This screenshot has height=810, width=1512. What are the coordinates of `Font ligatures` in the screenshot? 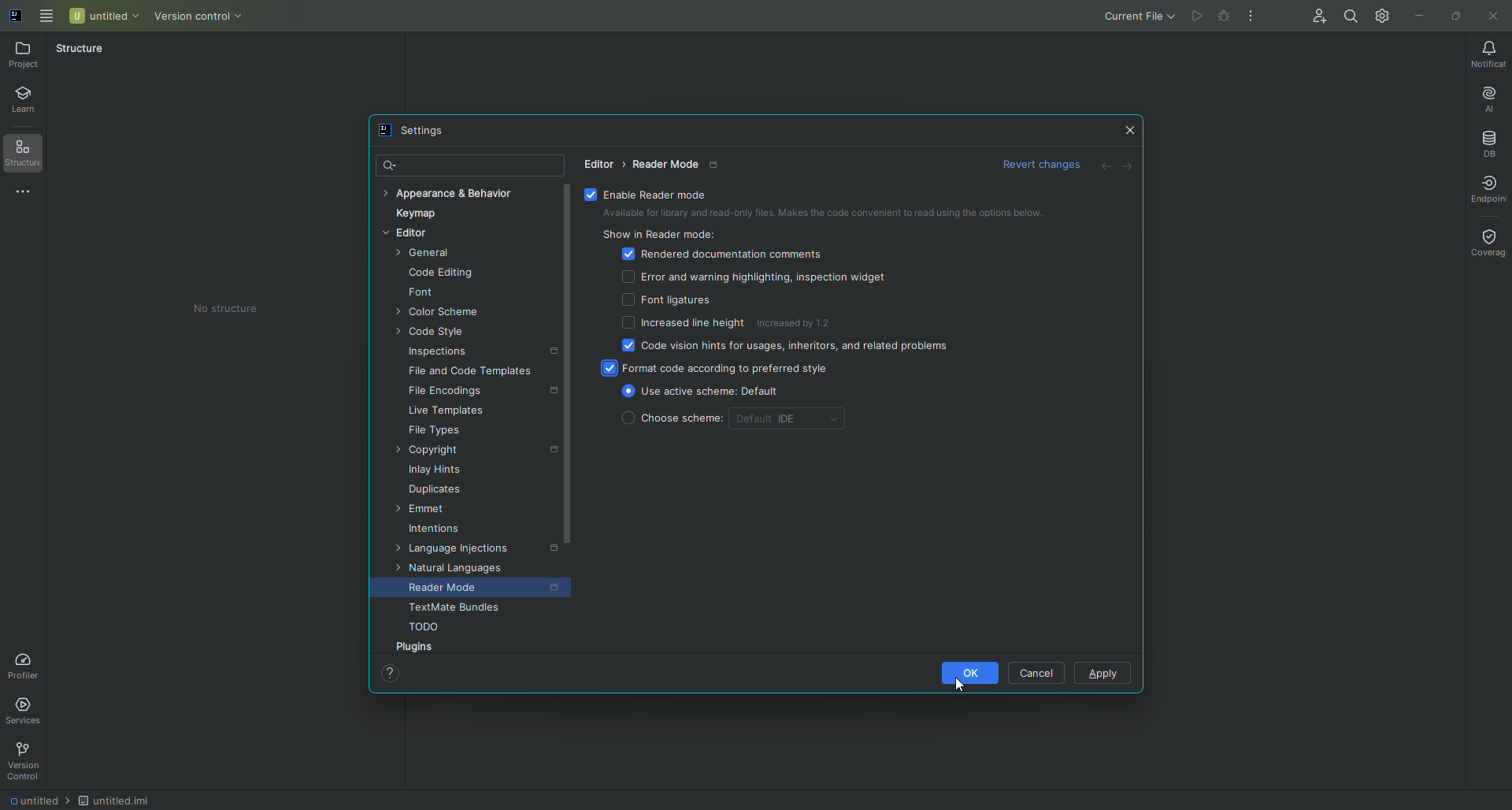 It's located at (665, 301).